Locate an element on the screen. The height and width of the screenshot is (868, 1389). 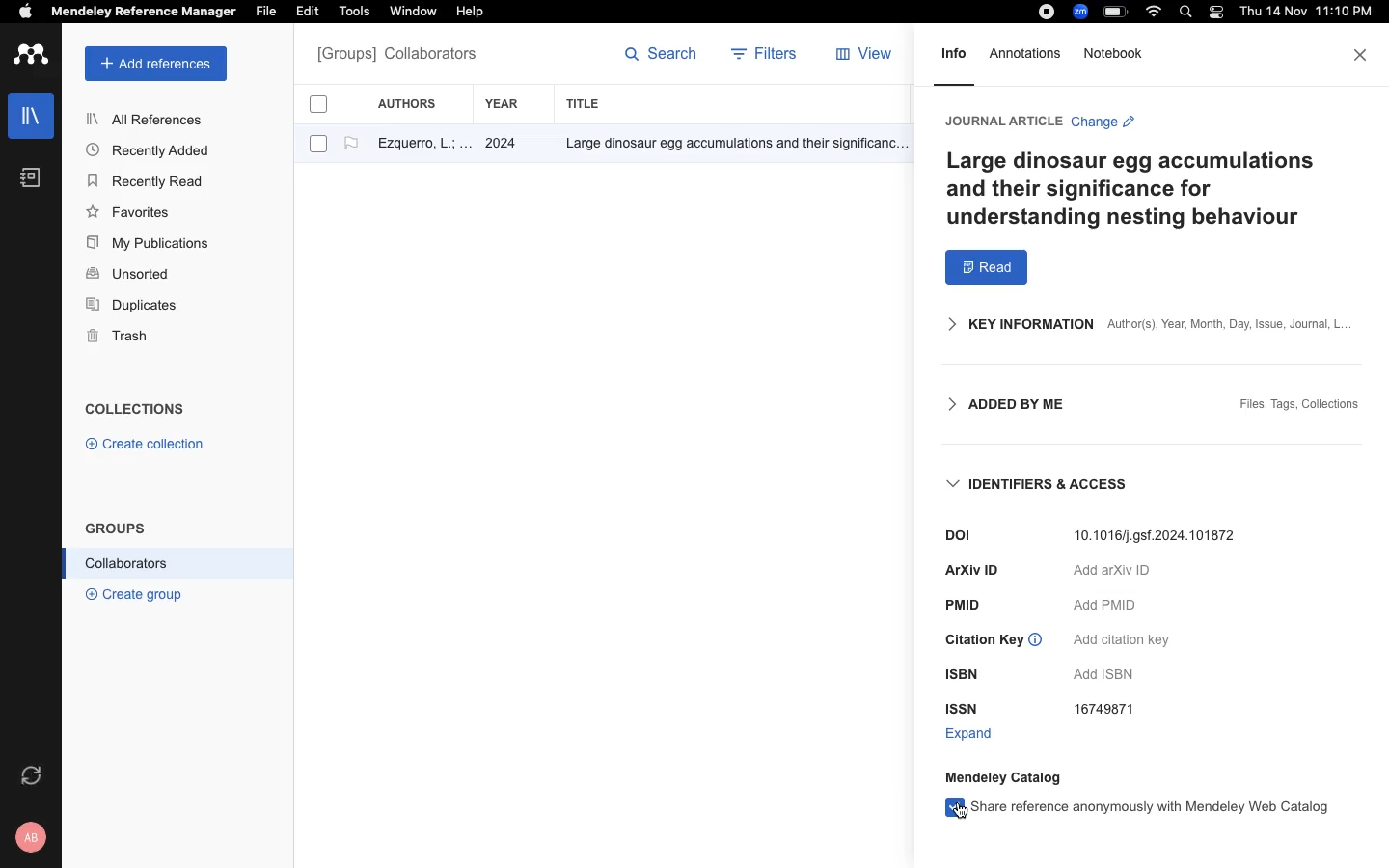
flag is located at coordinates (351, 144).